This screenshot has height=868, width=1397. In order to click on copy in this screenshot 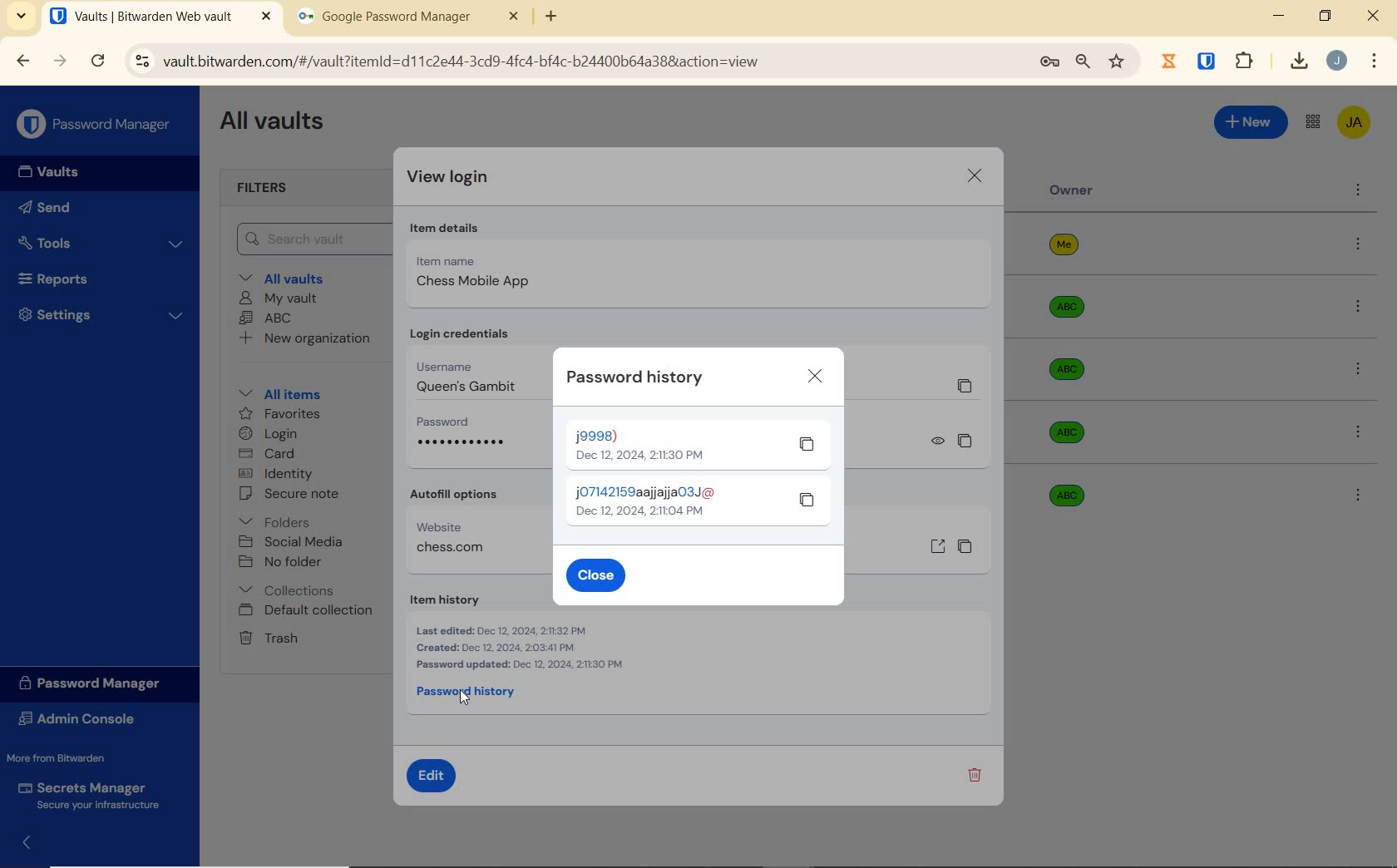, I will do `click(964, 441)`.